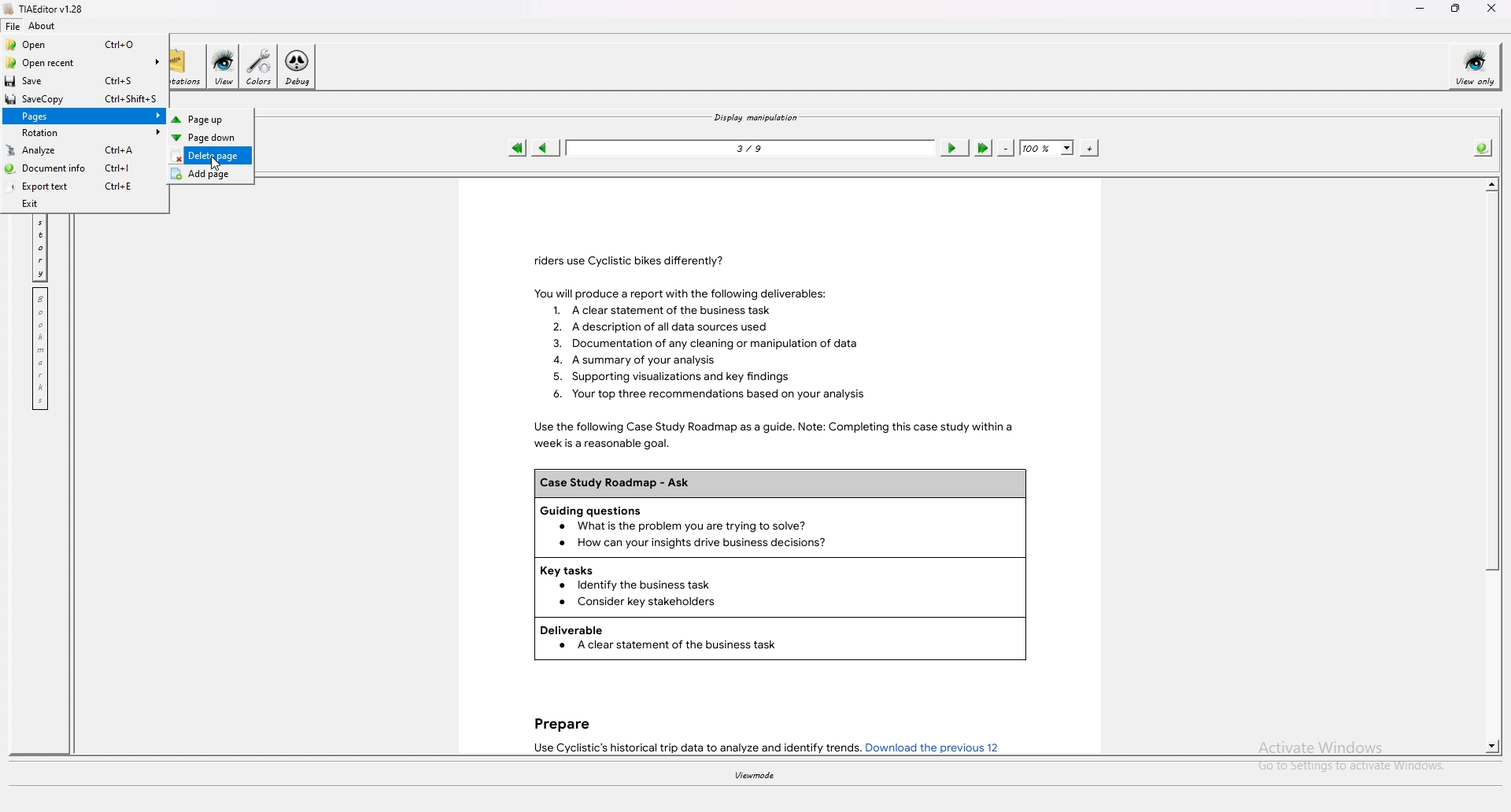  Describe the element at coordinates (691, 747) in the screenshot. I see `Use Cyclistic’s historical trip data to analyze and identify trends.` at that location.